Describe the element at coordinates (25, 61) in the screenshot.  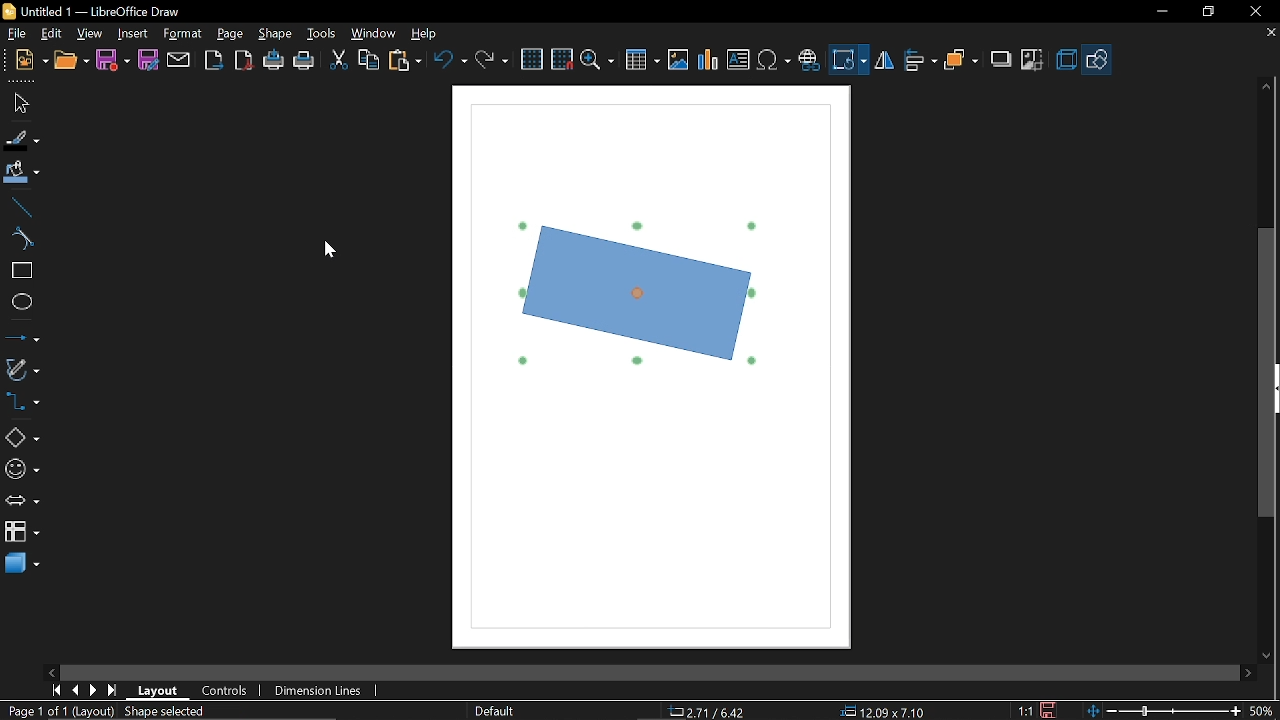
I see `New` at that location.